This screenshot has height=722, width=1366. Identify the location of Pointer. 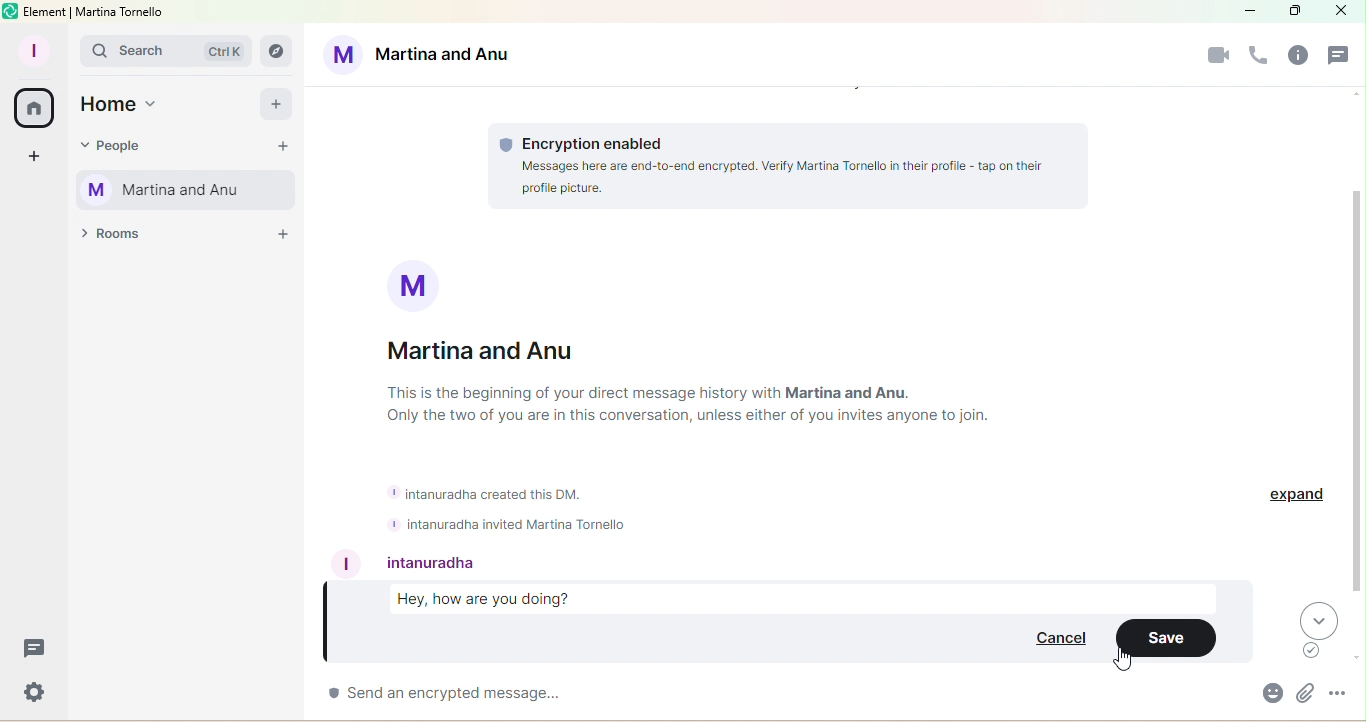
(1125, 660).